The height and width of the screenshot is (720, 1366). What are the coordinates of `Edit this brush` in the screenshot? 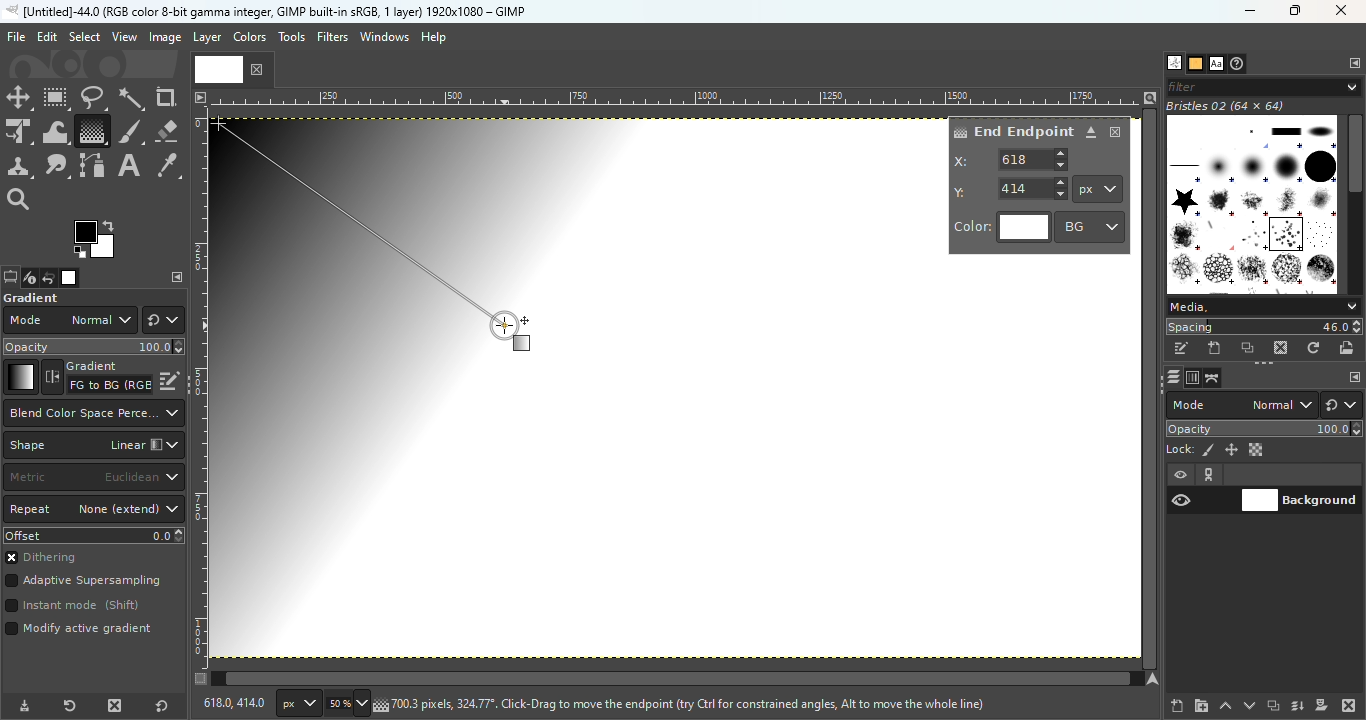 It's located at (1181, 349).